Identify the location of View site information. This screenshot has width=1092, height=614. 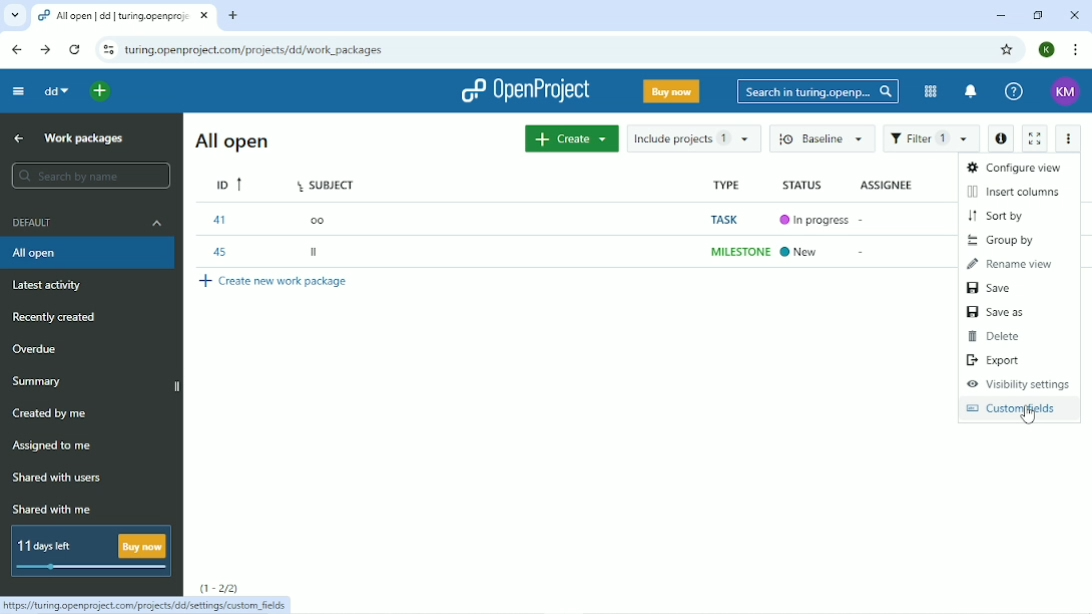
(107, 50).